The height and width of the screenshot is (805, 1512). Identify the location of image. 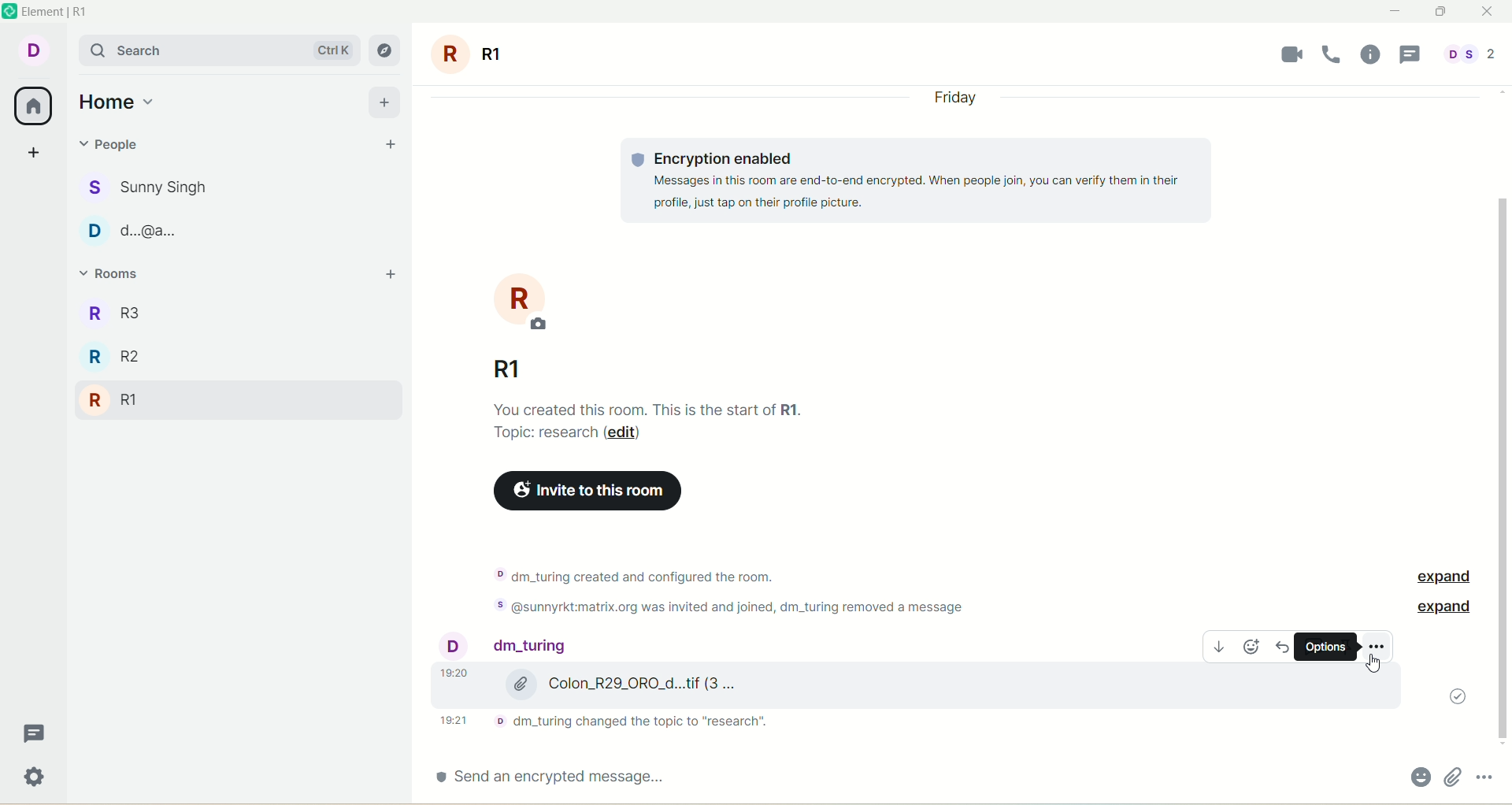
(919, 685).